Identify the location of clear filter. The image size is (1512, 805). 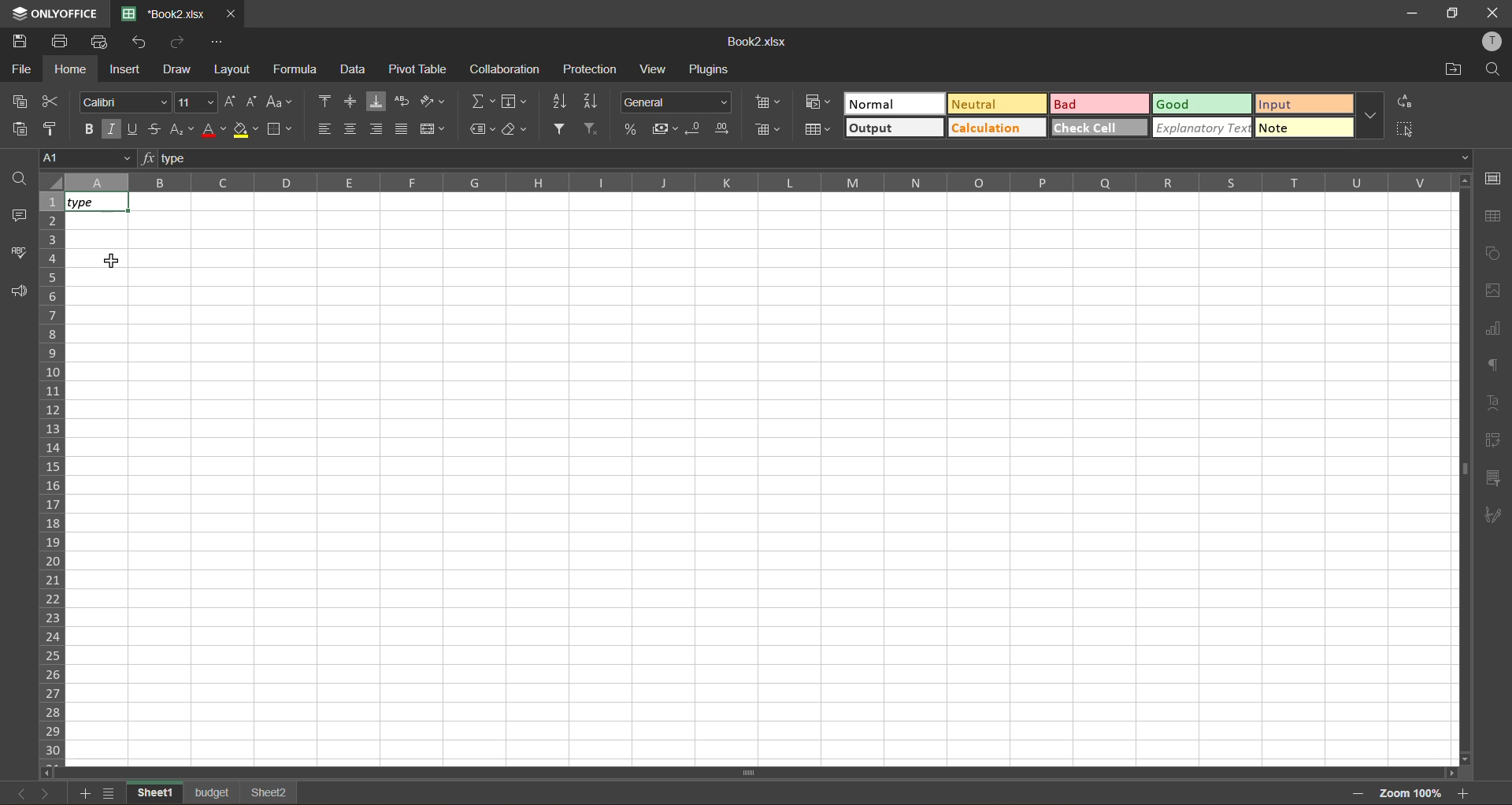
(595, 127).